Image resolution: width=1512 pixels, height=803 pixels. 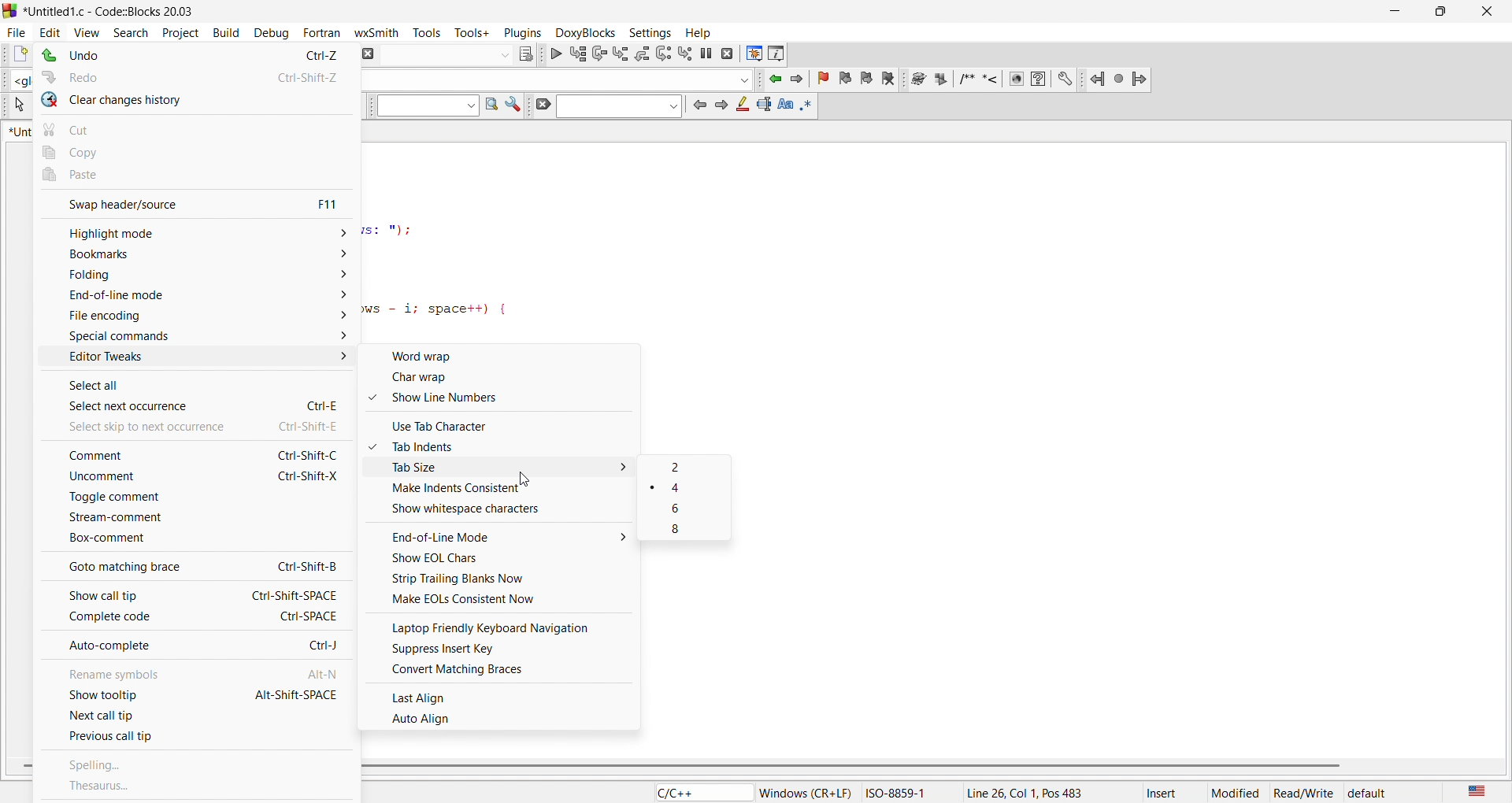 What do you see at coordinates (124, 455) in the screenshot?
I see `comment ` at bounding box center [124, 455].